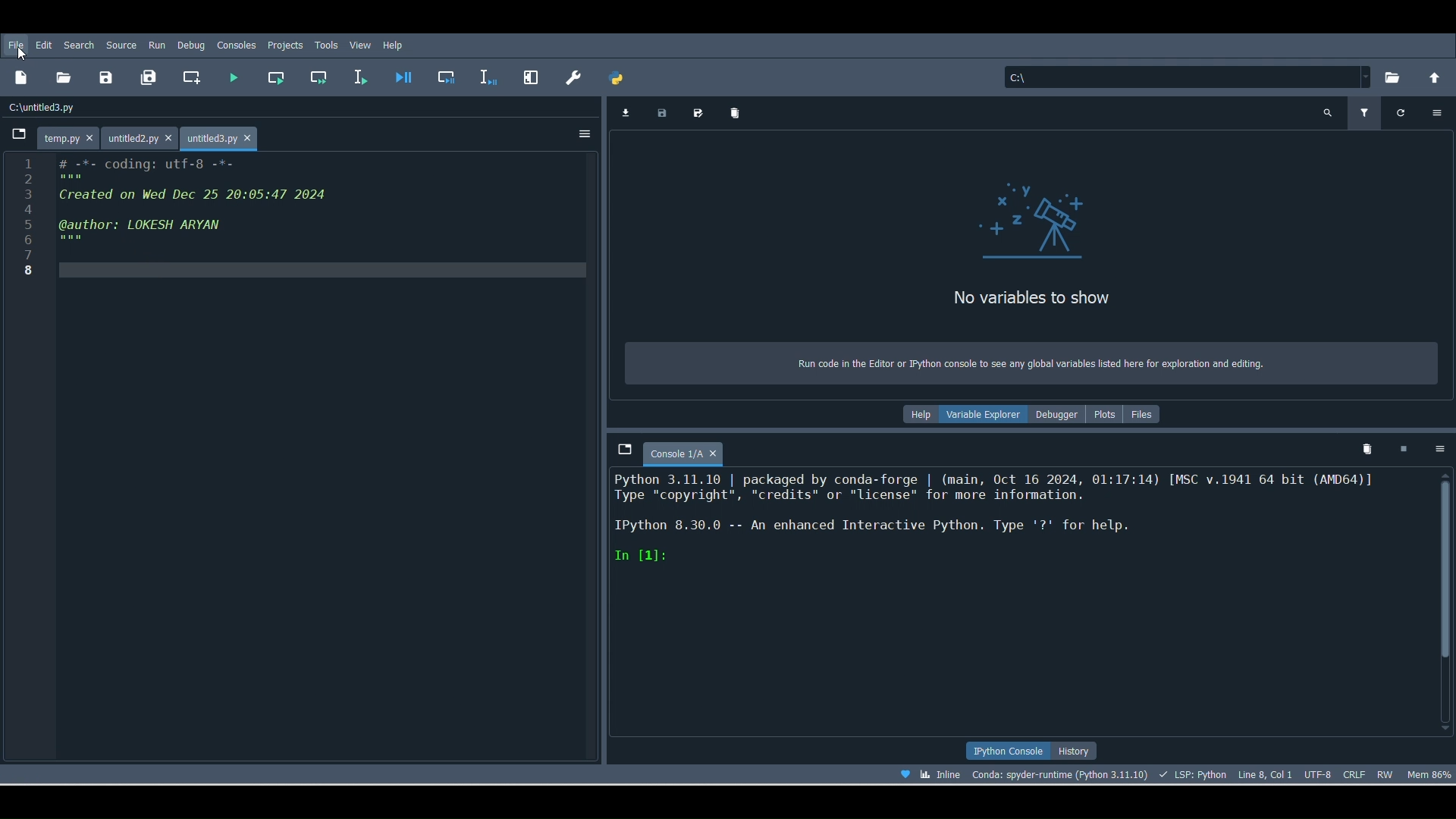  I want to click on File EOL status, so click(1355, 772).